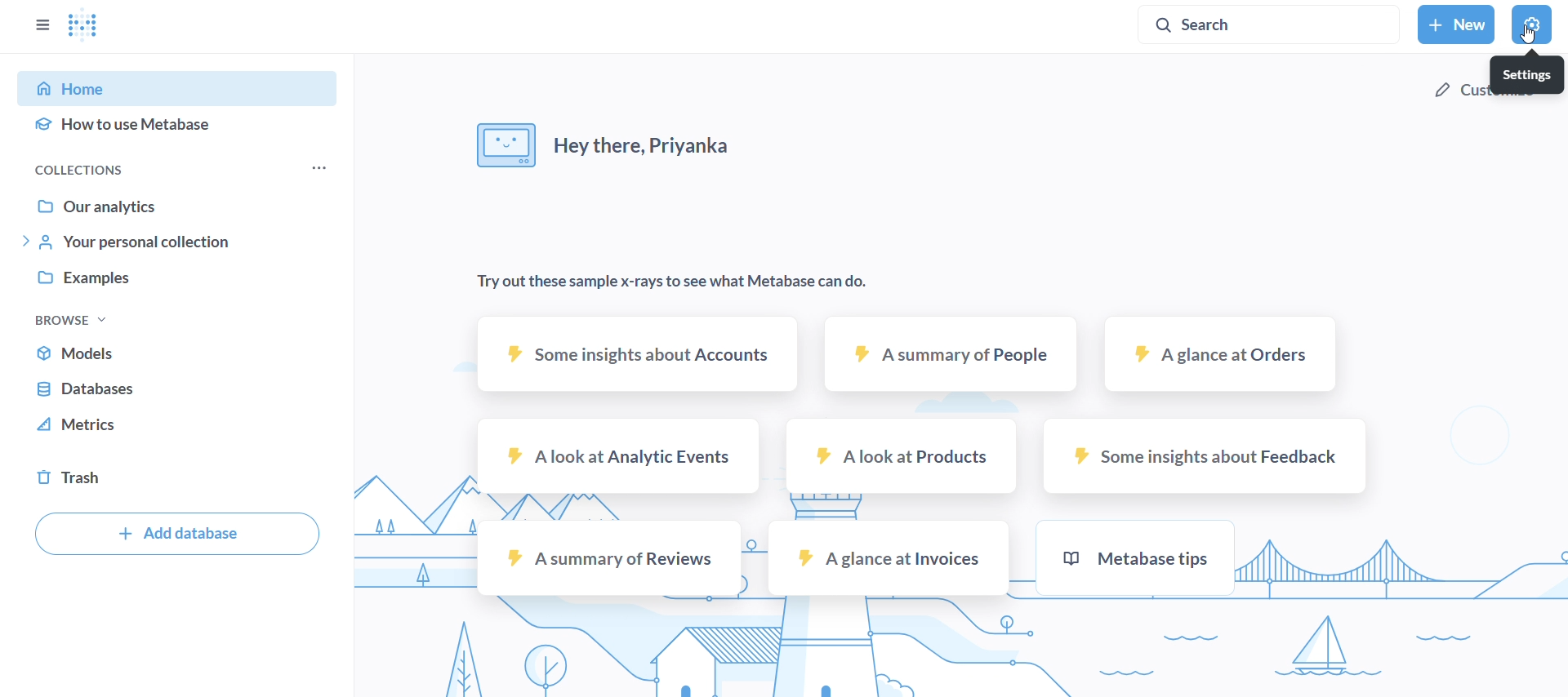 The height and width of the screenshot is (697, 1568). I want to click on a summary of people, so click(949, 353).